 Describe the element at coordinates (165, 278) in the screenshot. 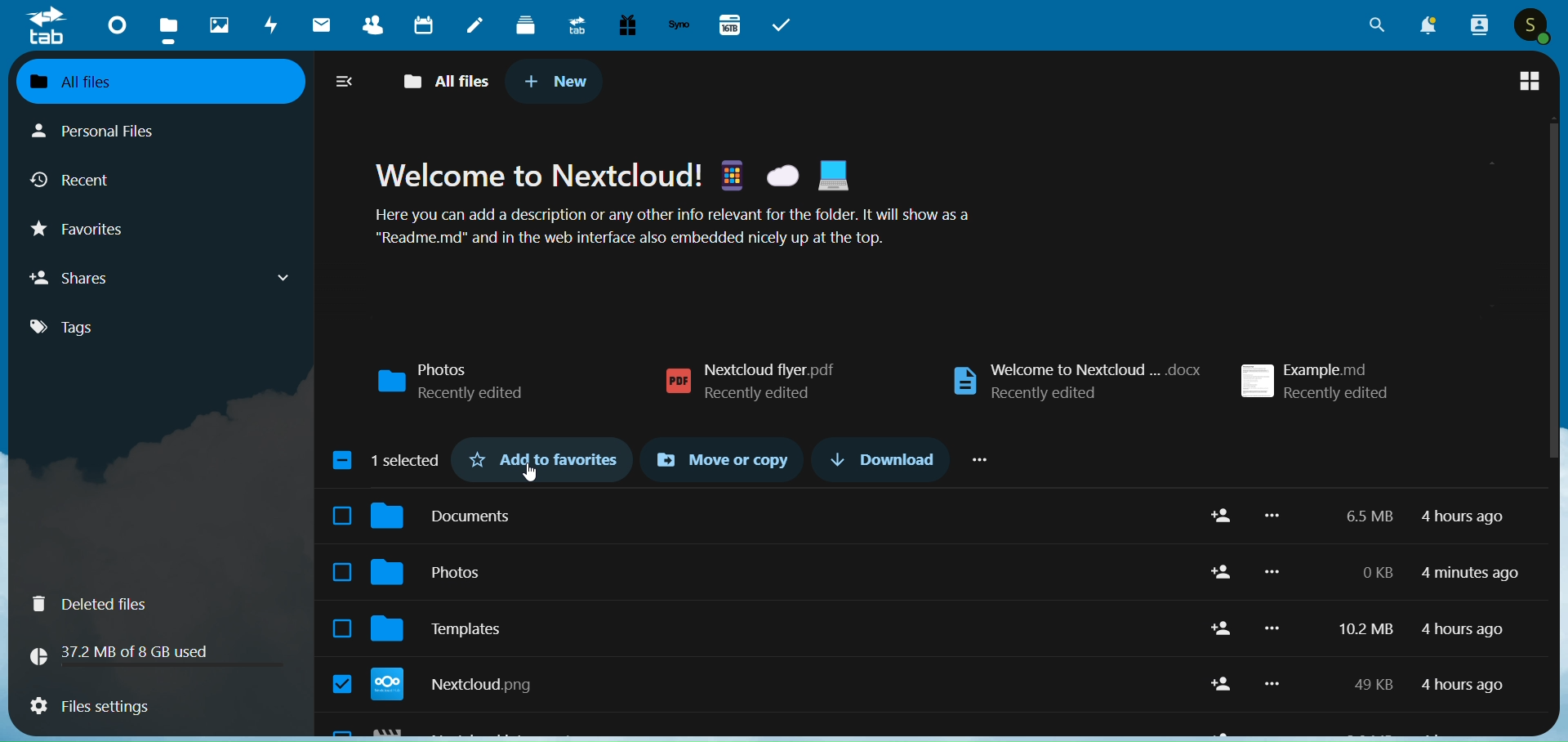

I see `shares` at that location.